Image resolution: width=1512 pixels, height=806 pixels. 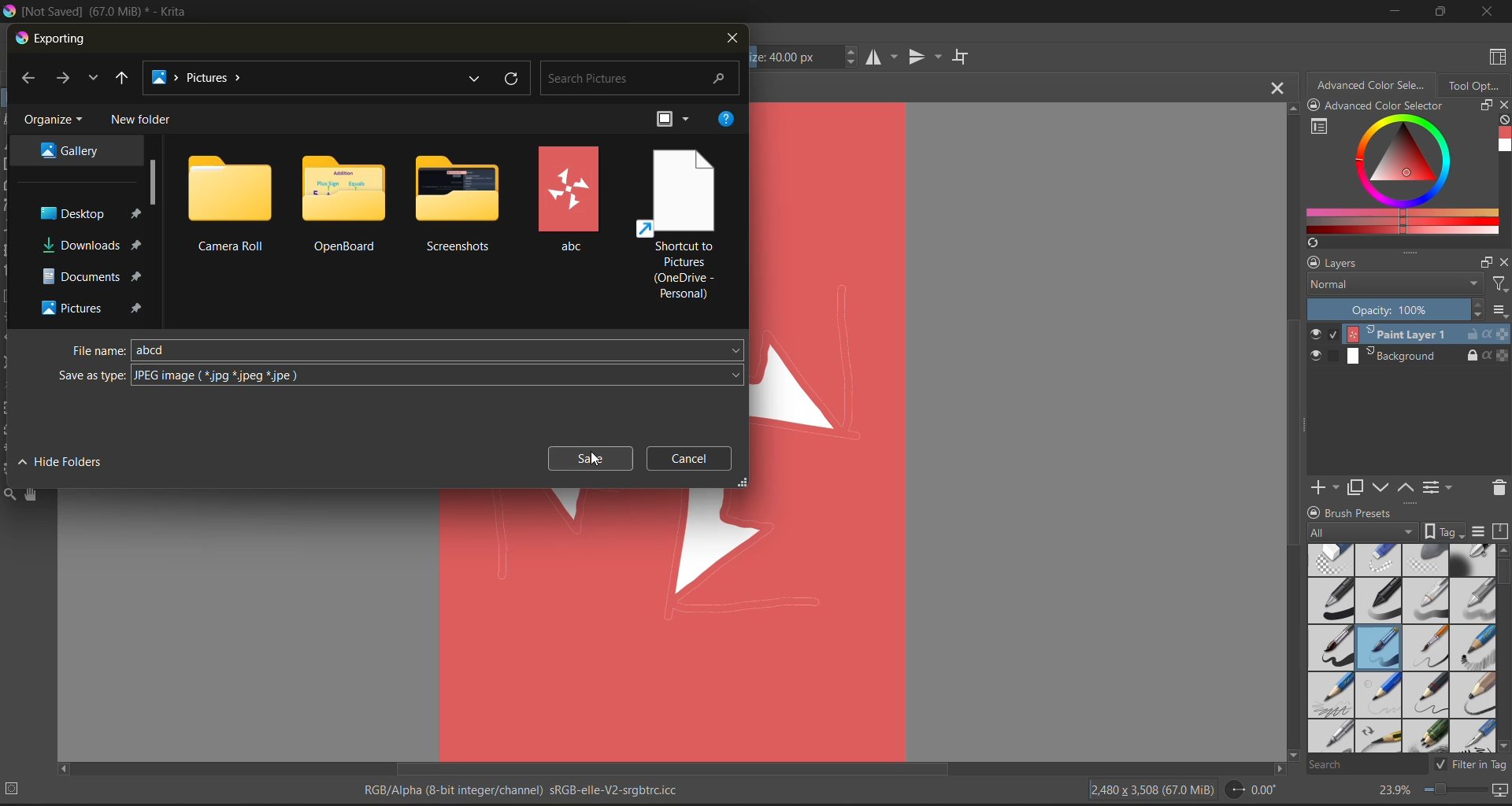 What do you see at coordinates (153, 180) in the screenshot?
I see `scroll bar` at bounding box center [153, 180].